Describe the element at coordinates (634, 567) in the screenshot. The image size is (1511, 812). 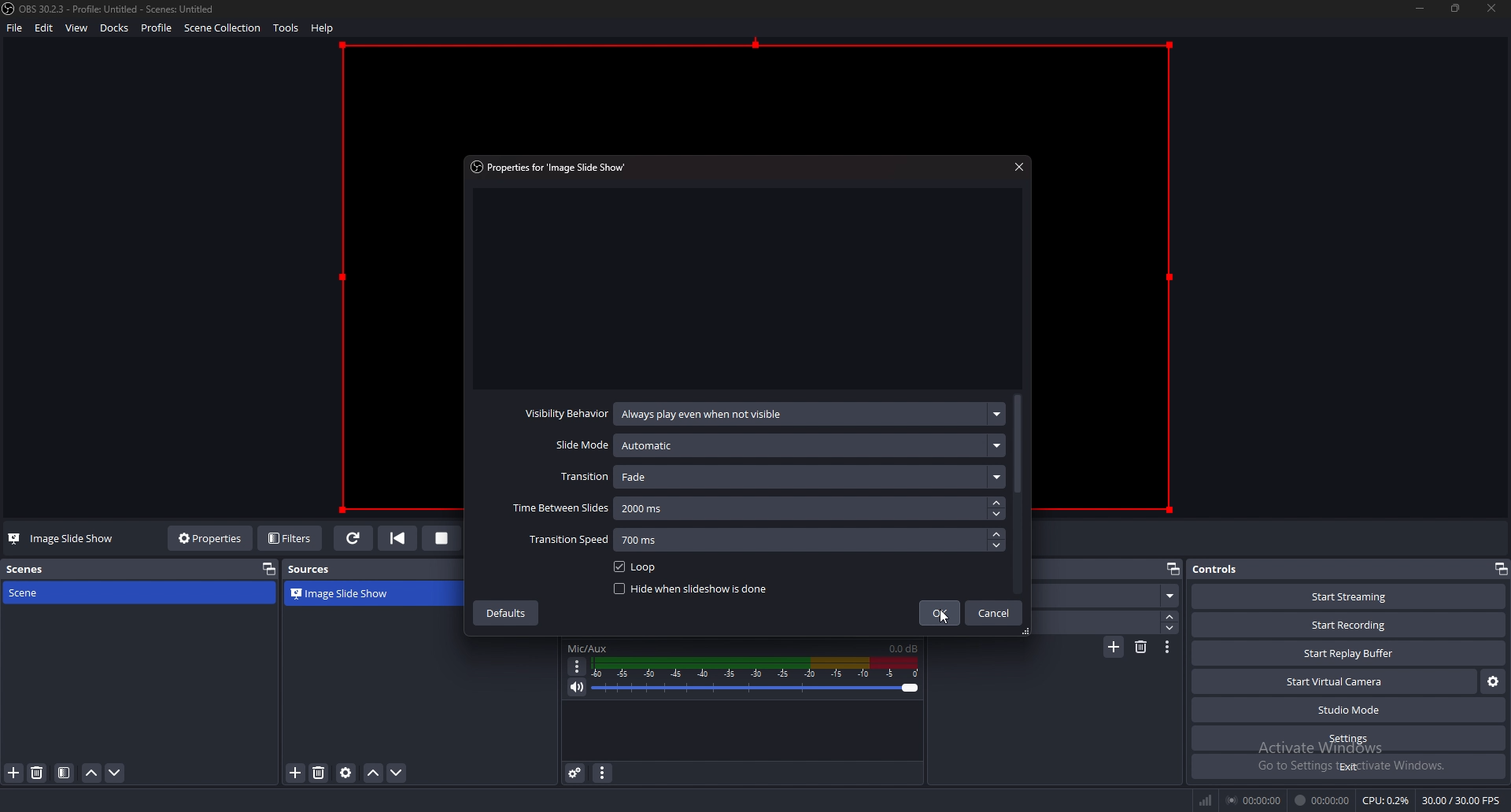
I see `loop` at that location.